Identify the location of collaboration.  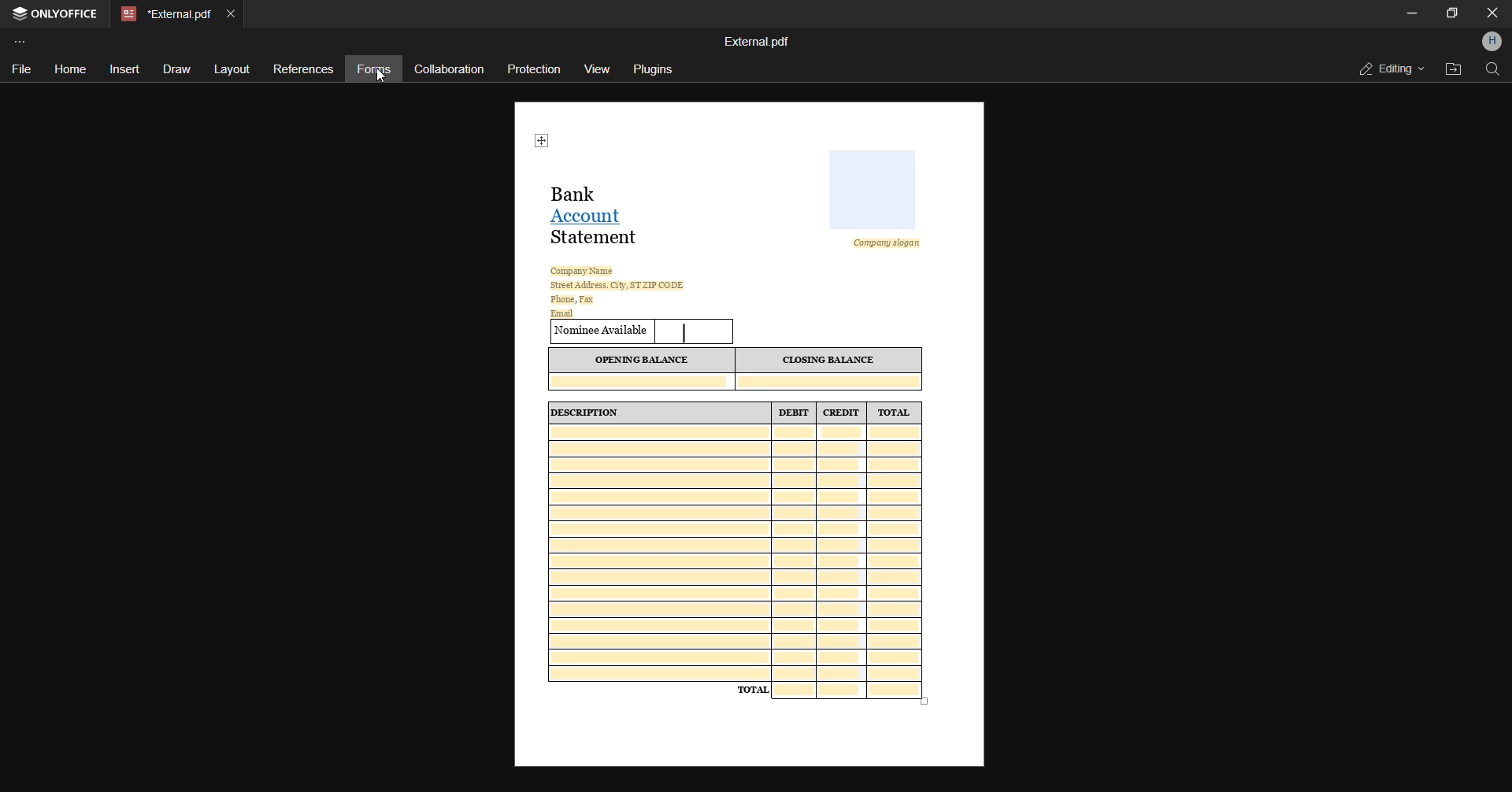
(449, 68).